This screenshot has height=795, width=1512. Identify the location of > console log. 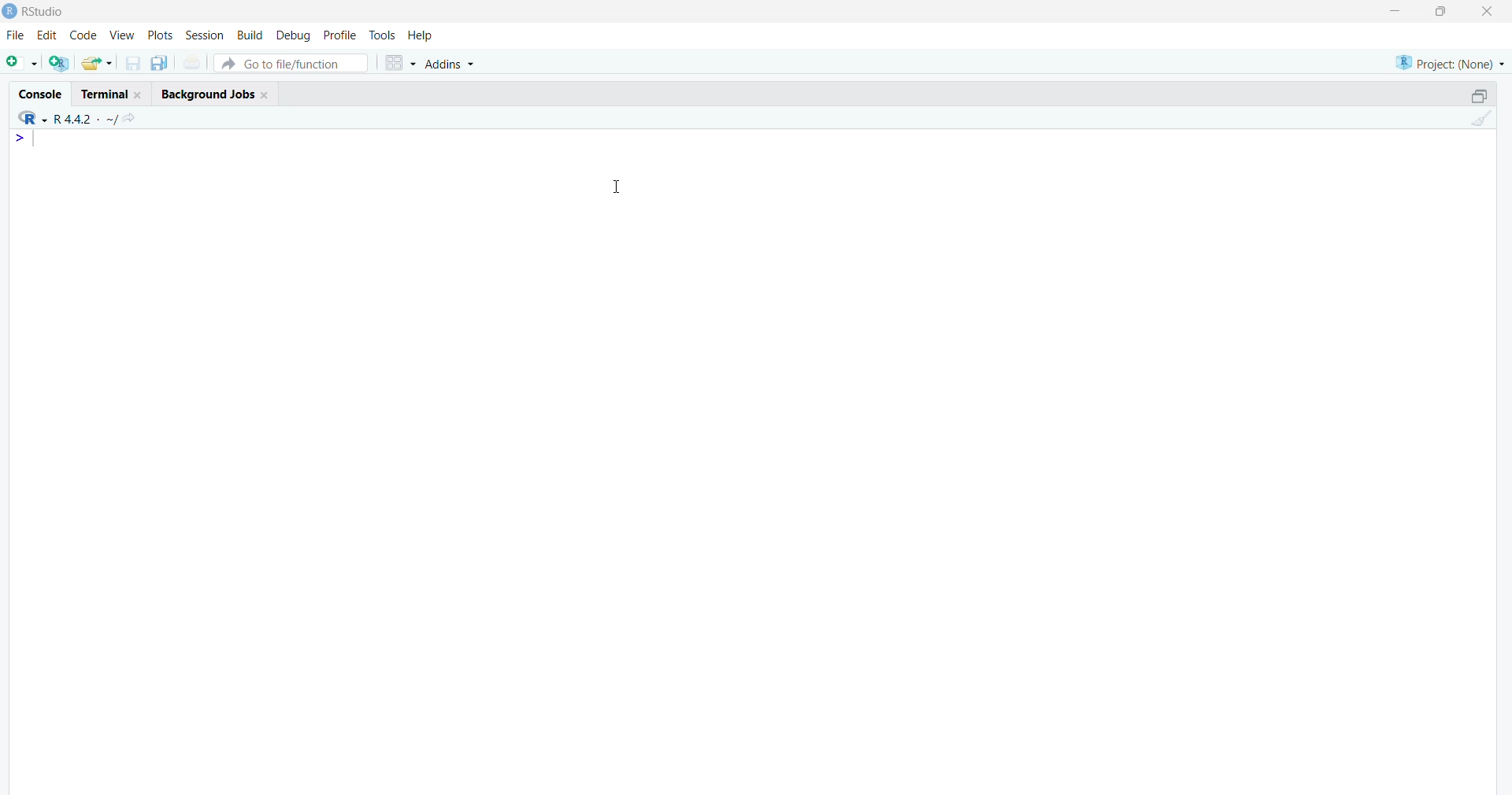
(185, 170).